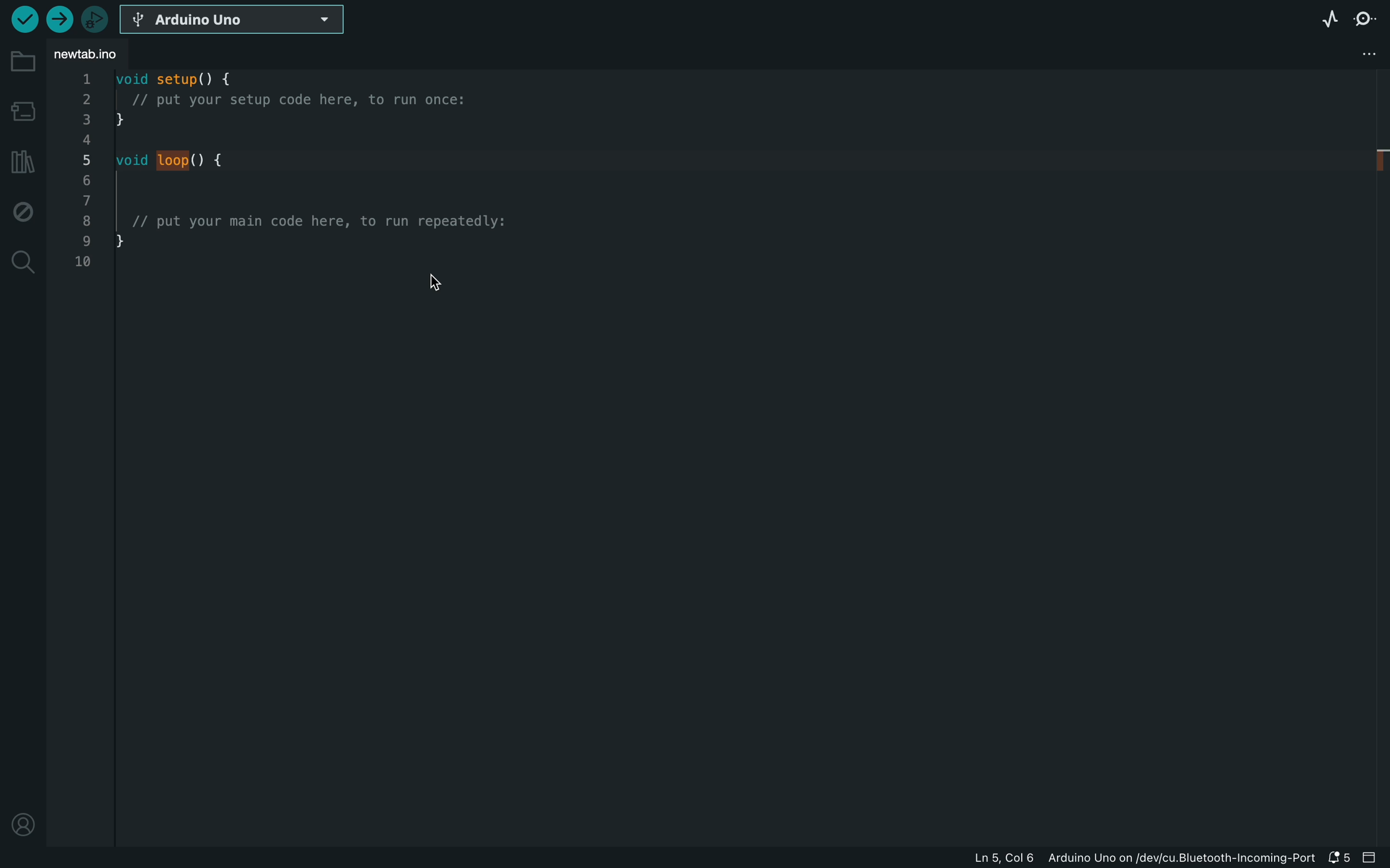 The width and height of the screenshot is (1390, 868). I want to click on debugger, so click(94, 19).